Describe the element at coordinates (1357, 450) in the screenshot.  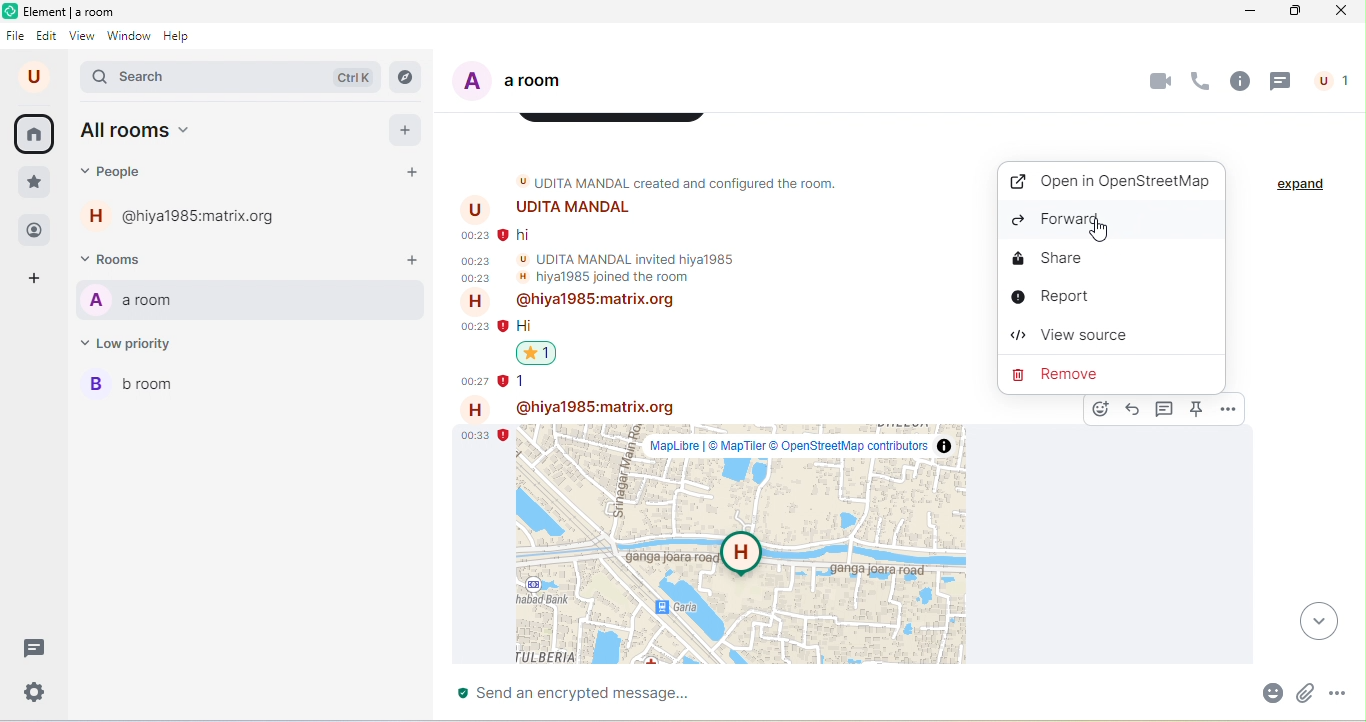
I see `verticals scroll bar` at that location.